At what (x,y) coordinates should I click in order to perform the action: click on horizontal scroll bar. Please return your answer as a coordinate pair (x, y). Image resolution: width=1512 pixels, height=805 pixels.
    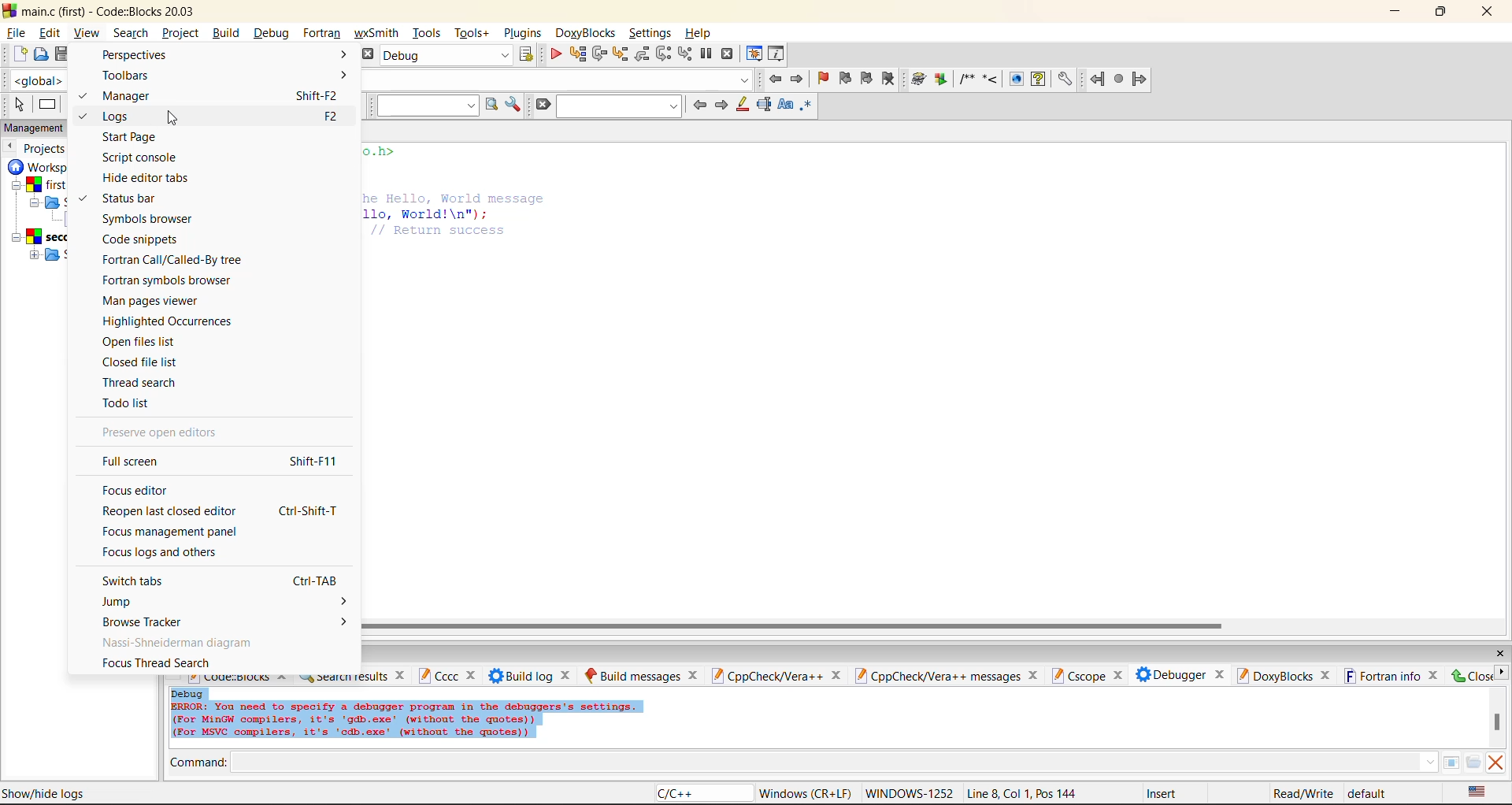
    Looking at the image, I should click on (793, 626).